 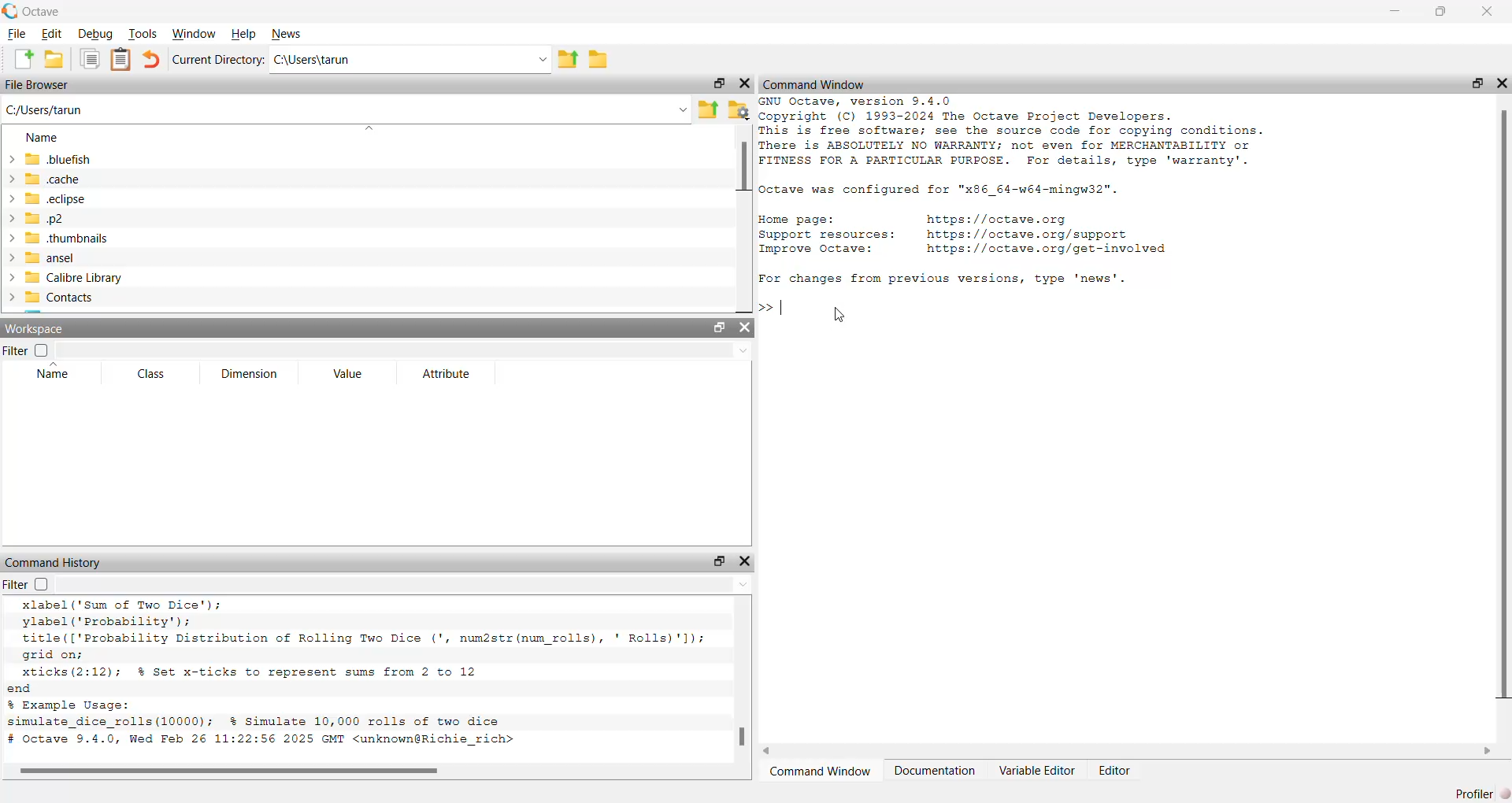 What do you see at coordinates (935, 772) in the screenshot?
I see `Documentation` at bounding box center [935, 772].